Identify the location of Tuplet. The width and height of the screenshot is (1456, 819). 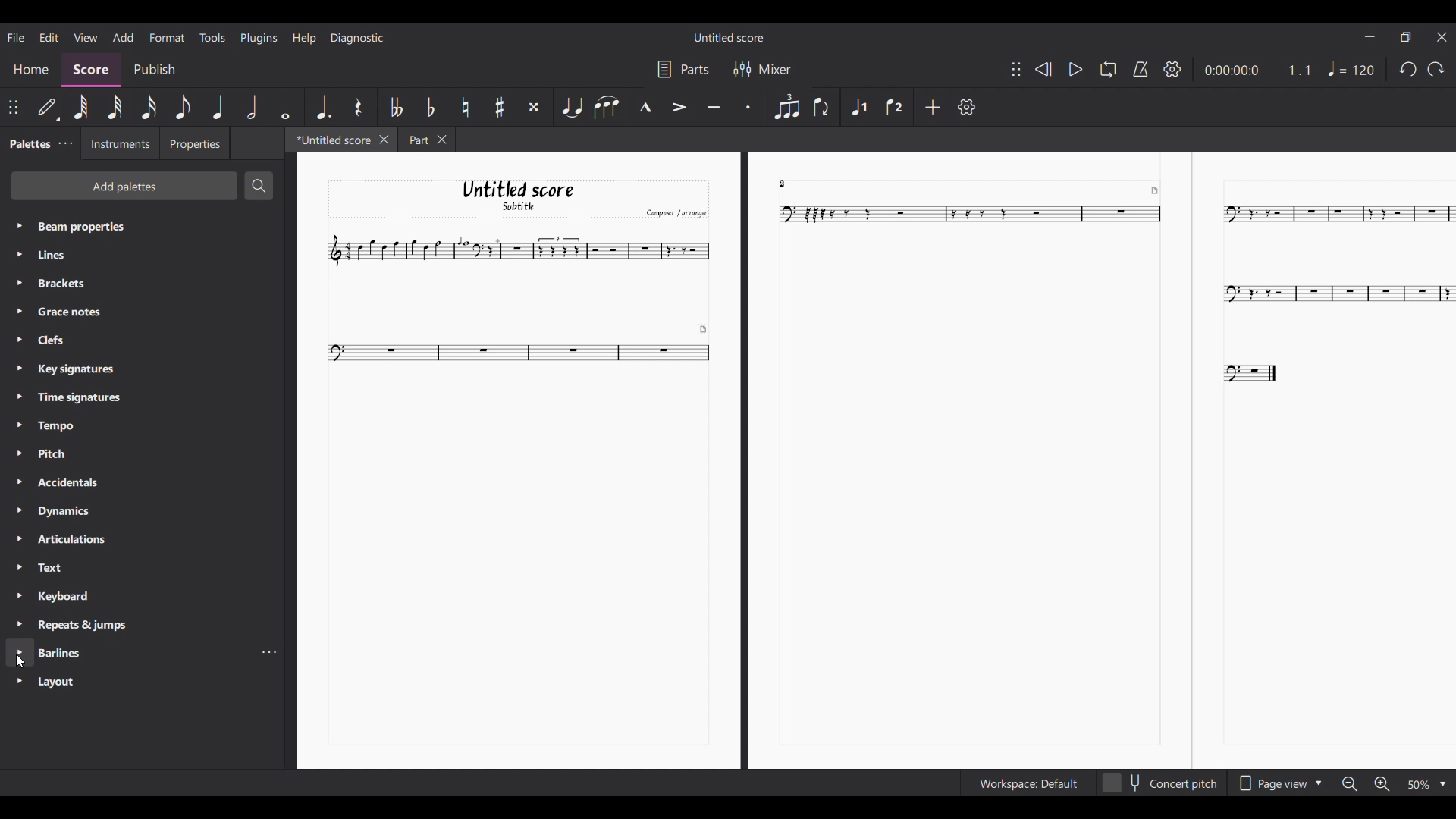
(787, 107).